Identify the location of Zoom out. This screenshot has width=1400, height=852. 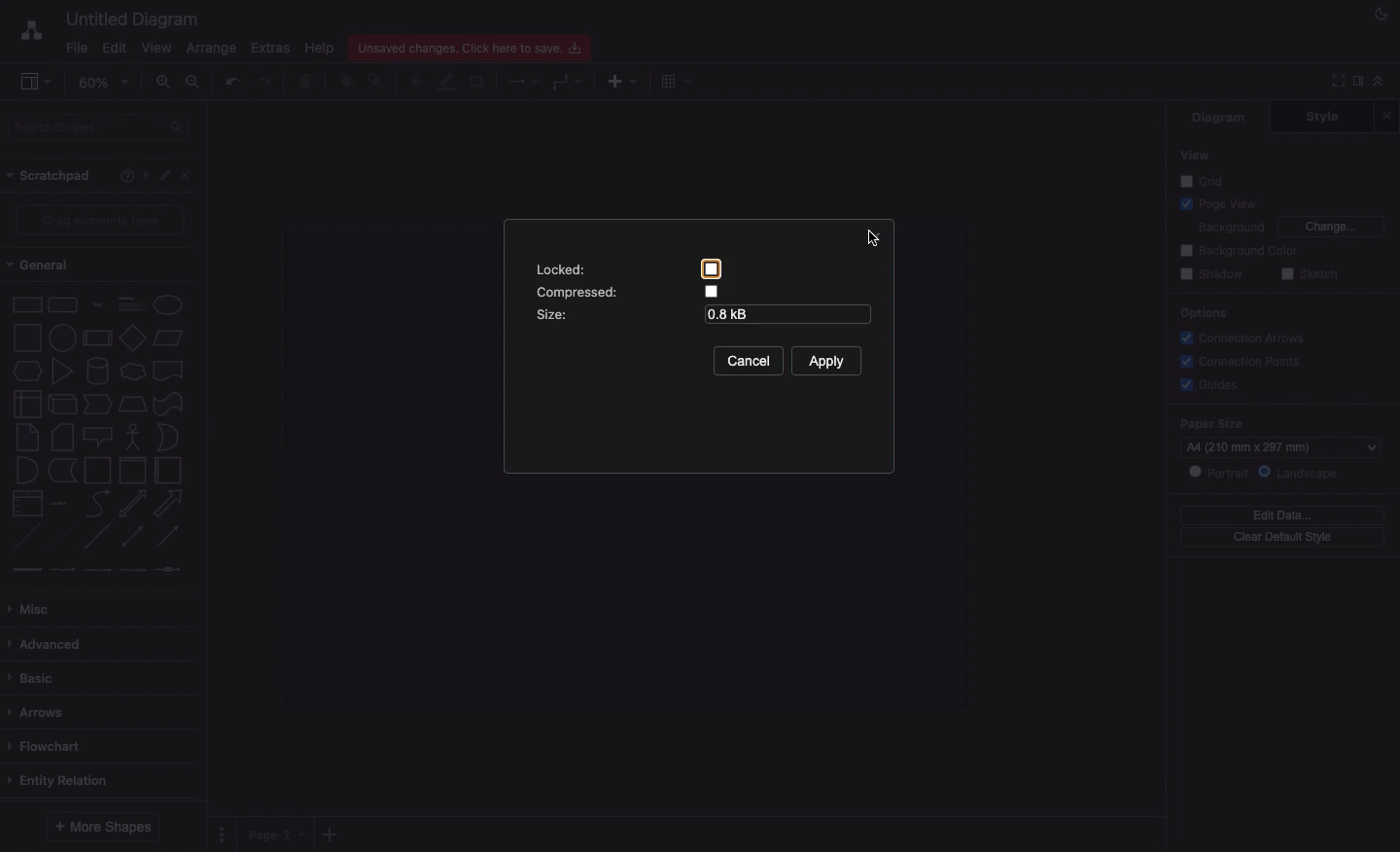
(195, 81).